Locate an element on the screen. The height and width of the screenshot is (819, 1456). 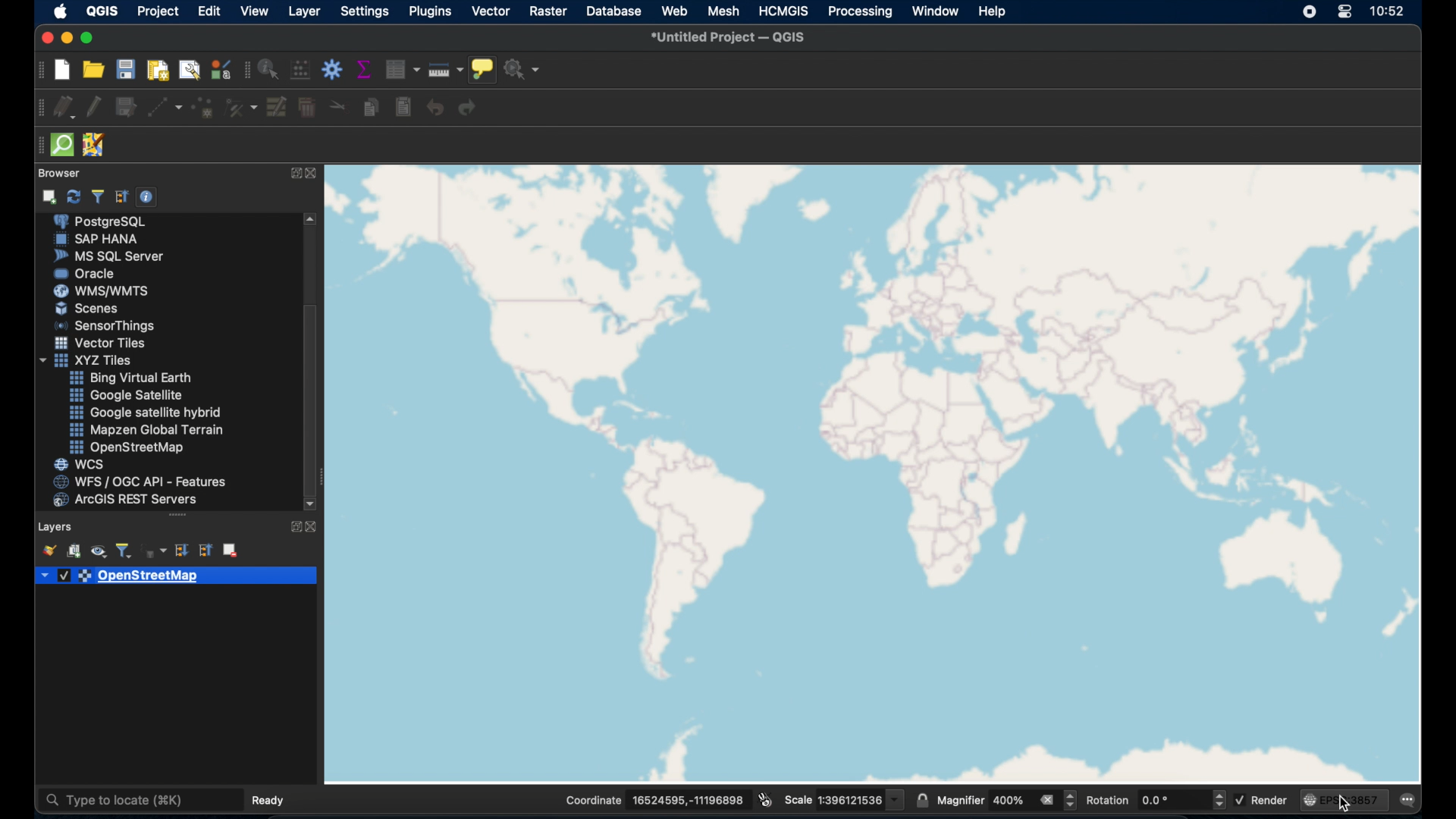
show map tips is located at coordinates (484, 69).